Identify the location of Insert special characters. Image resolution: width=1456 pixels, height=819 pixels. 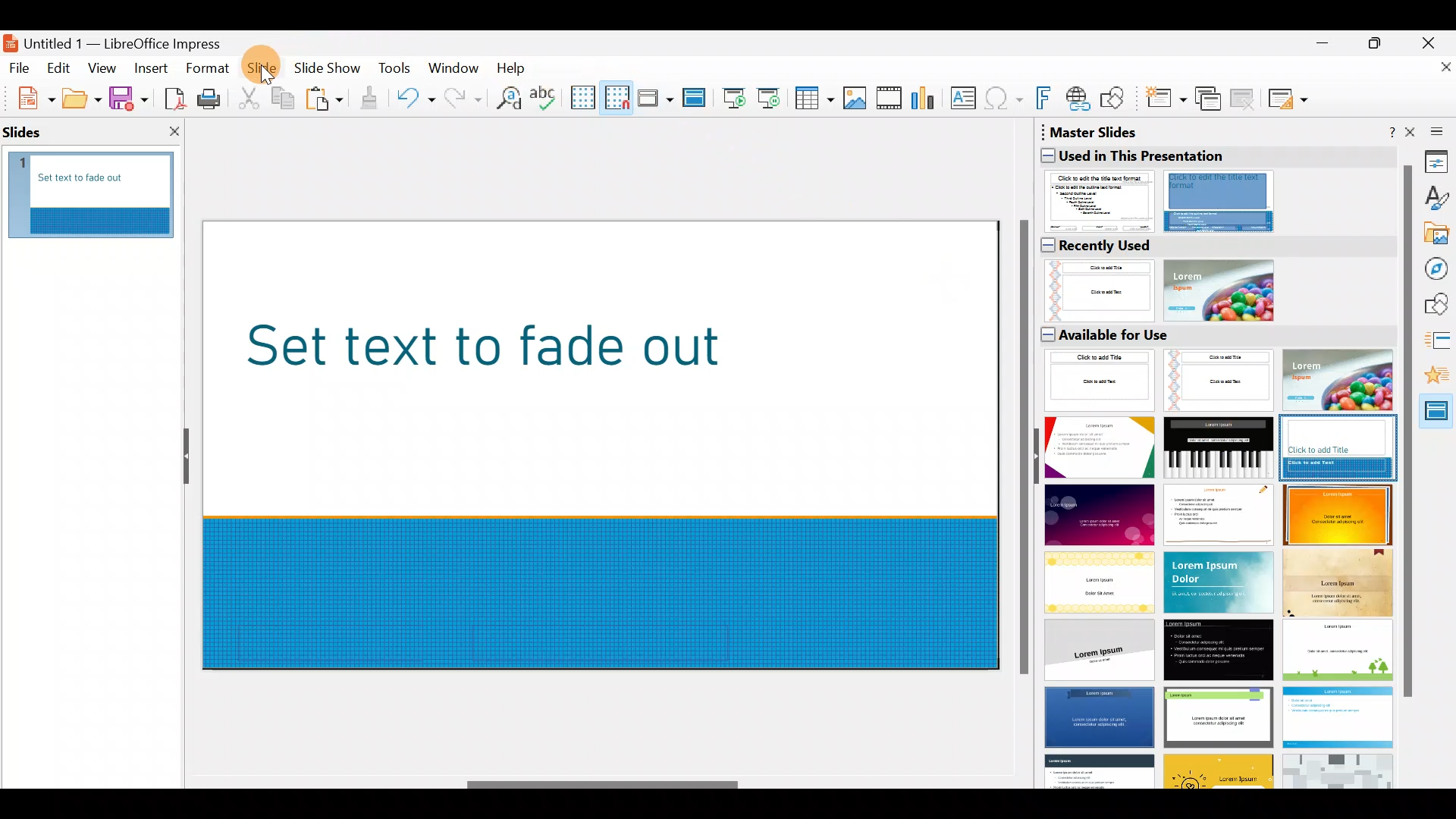
(1006, 100).